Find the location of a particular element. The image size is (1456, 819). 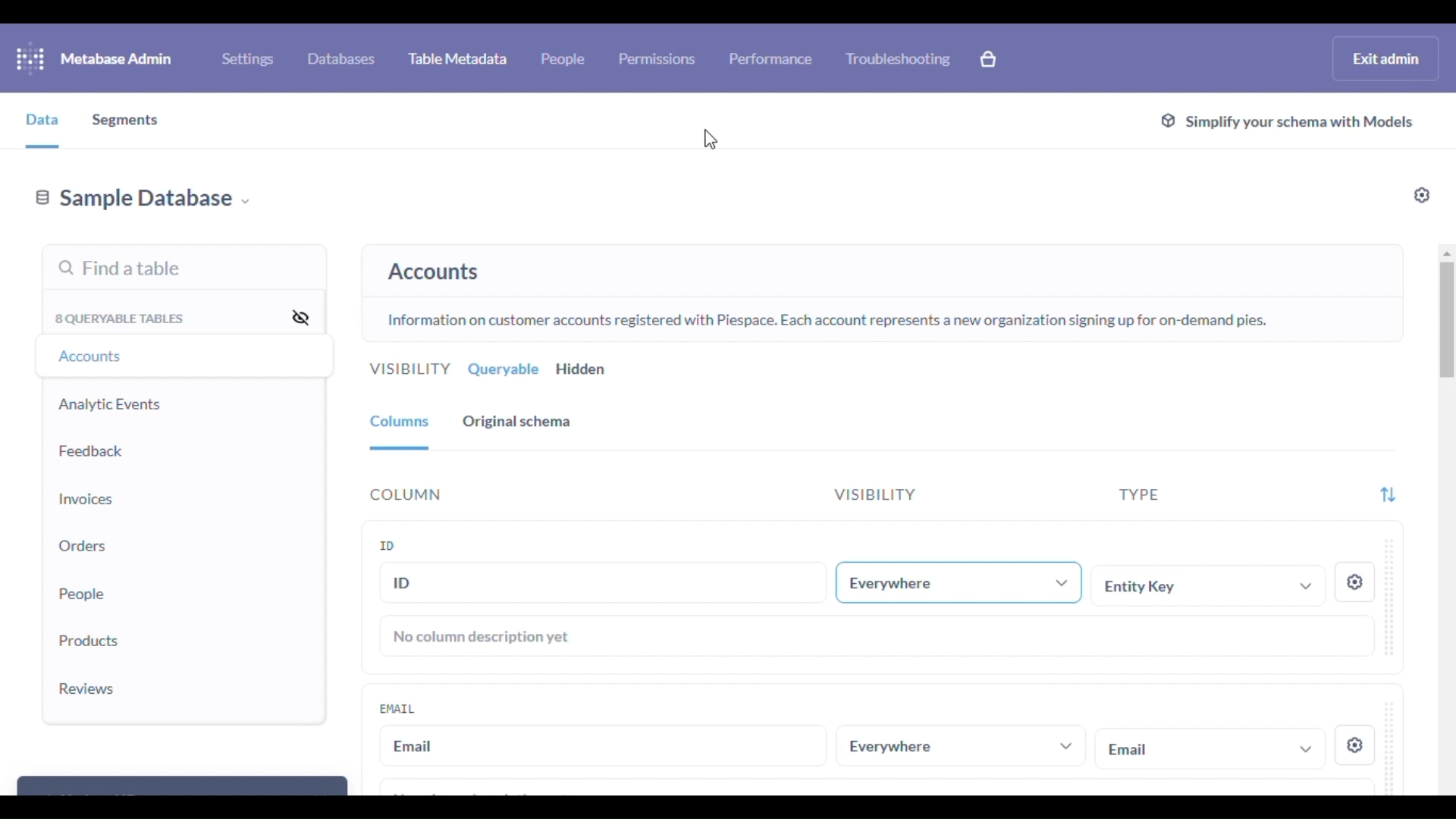

settings is located at coordinates (1354, 746).